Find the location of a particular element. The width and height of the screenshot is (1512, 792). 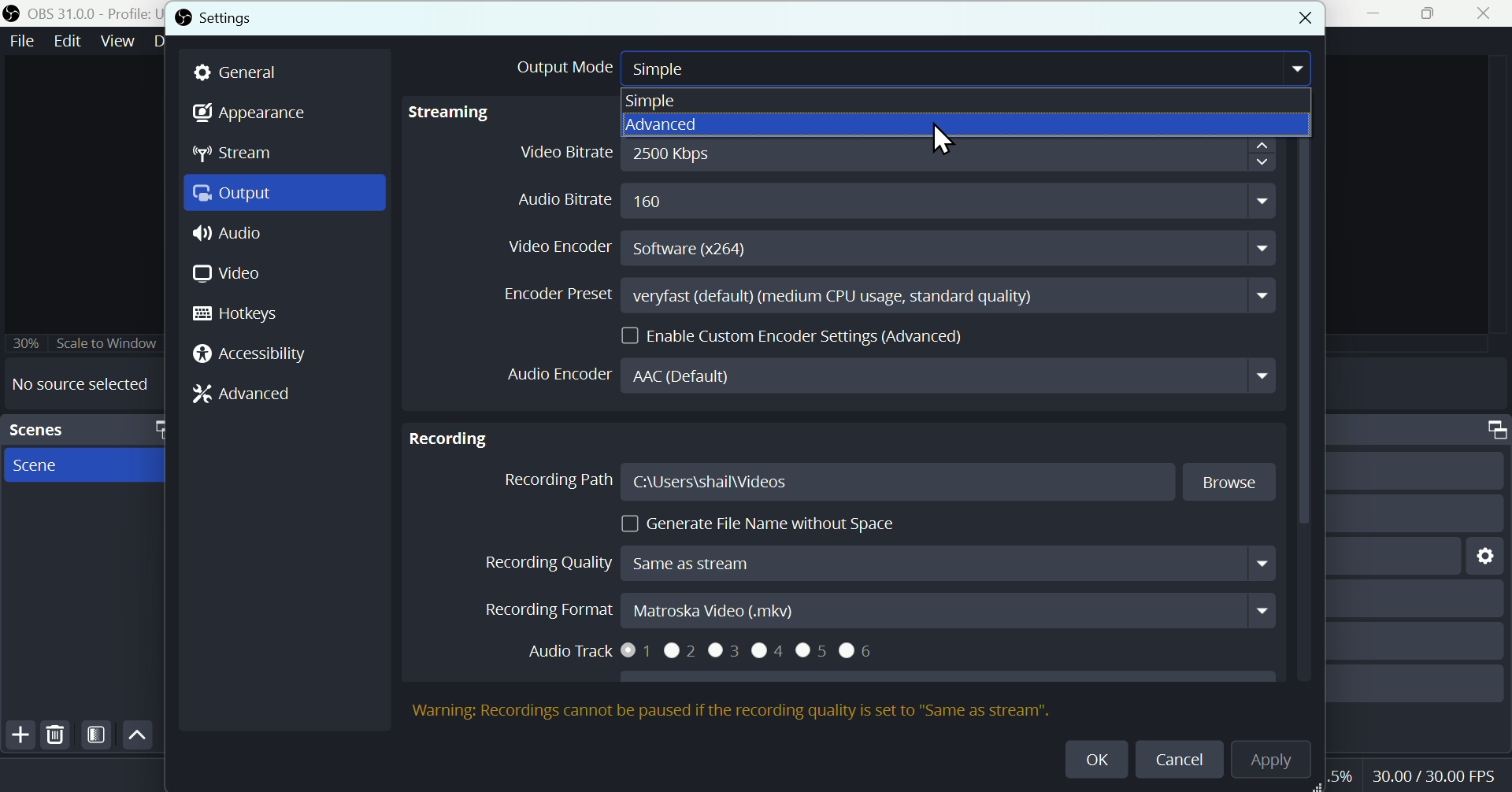

Advanced is located at coordinates (242, 393).